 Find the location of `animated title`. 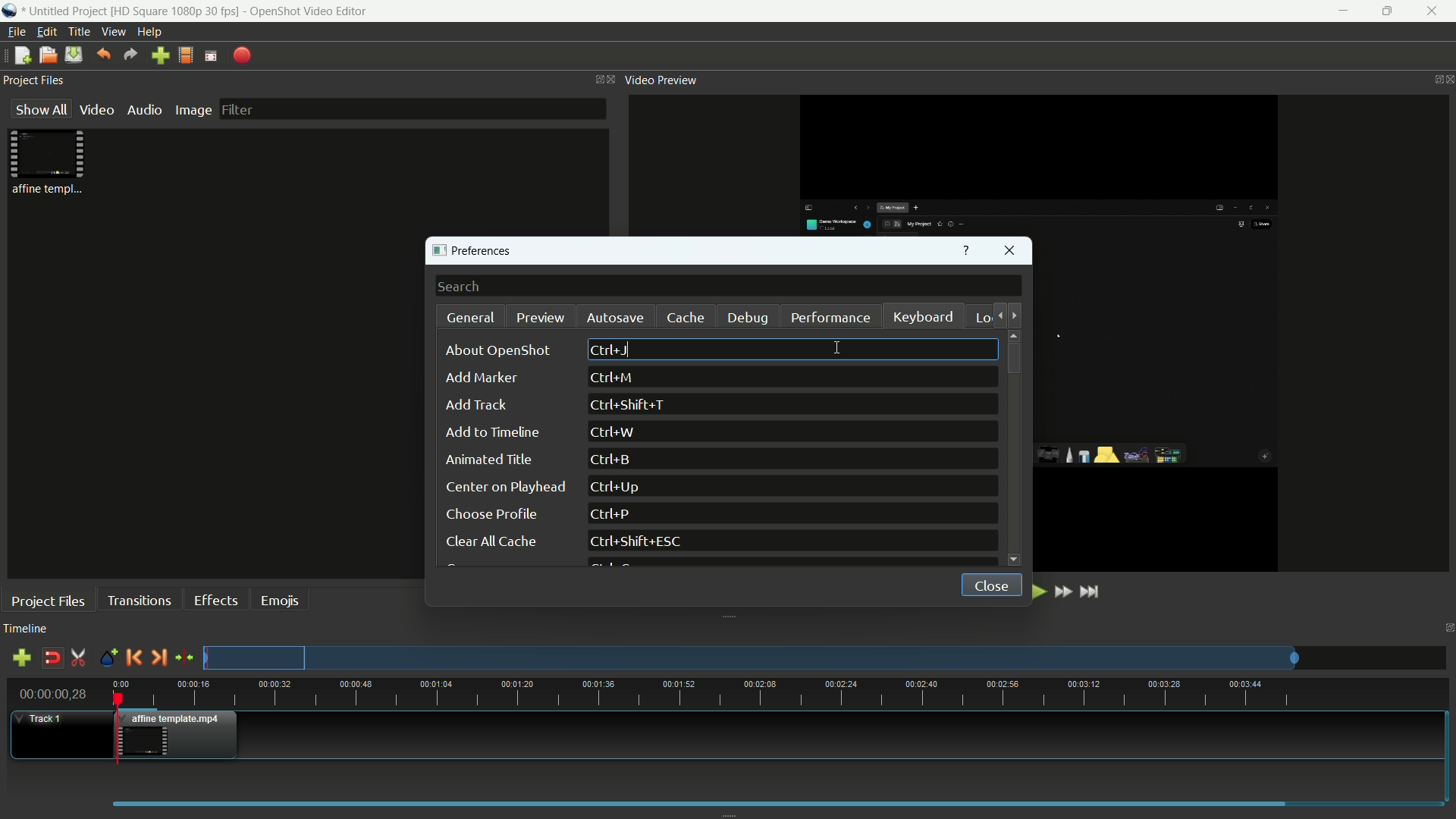

animated title is located at coordinates (491, 460).